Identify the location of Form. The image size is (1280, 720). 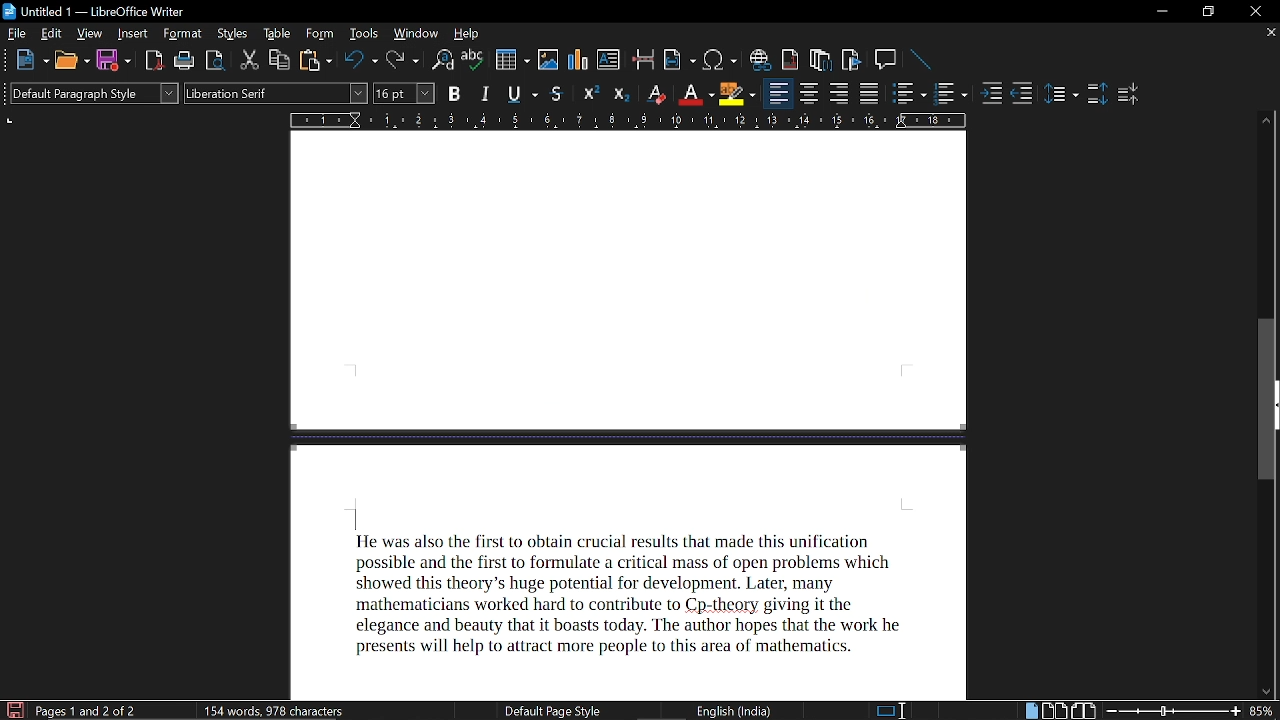
(318, 35).